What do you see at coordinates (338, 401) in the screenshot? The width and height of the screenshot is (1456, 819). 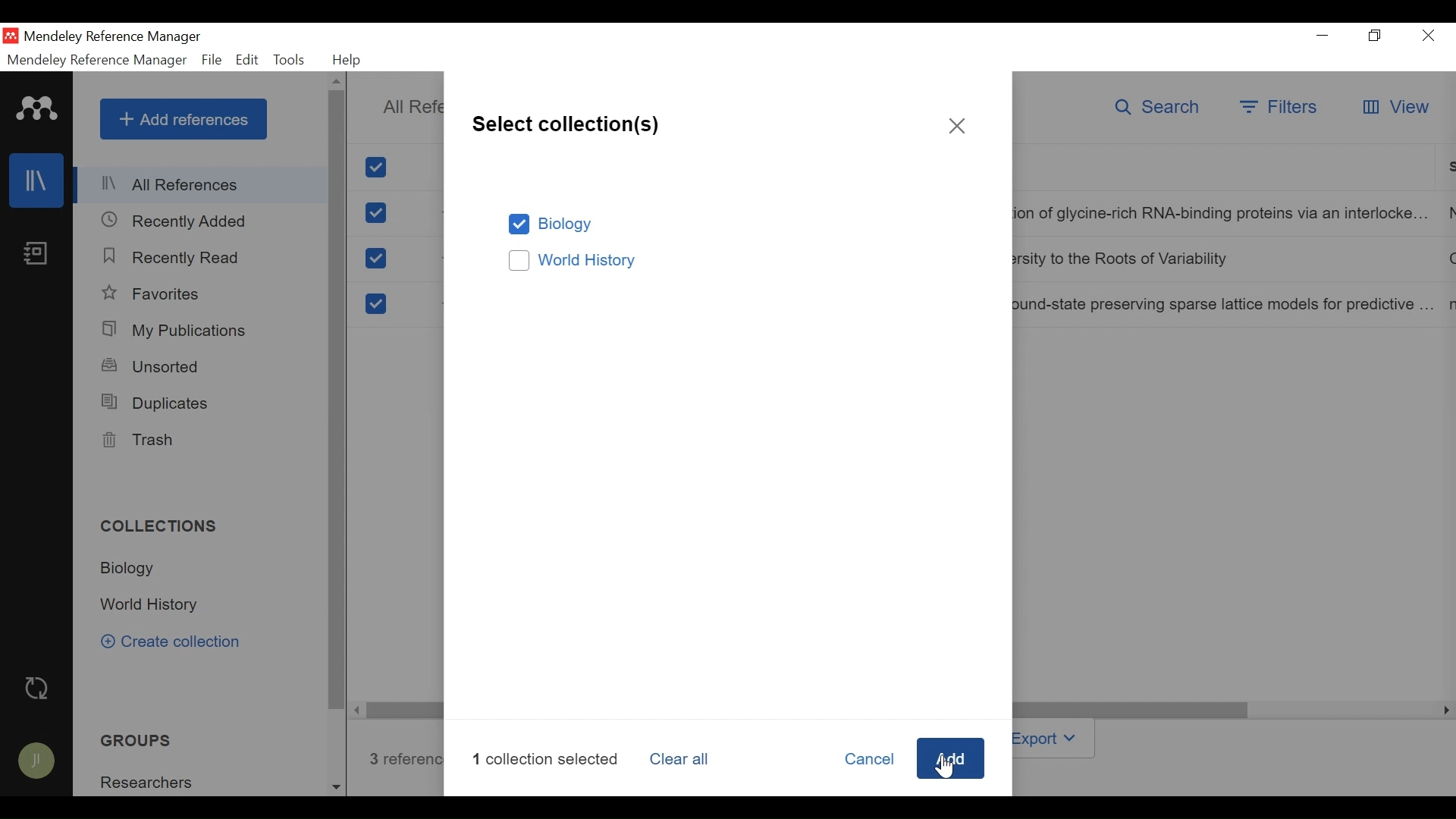 I see `Vertical Scroll bar` at bounding box center [338, 401].